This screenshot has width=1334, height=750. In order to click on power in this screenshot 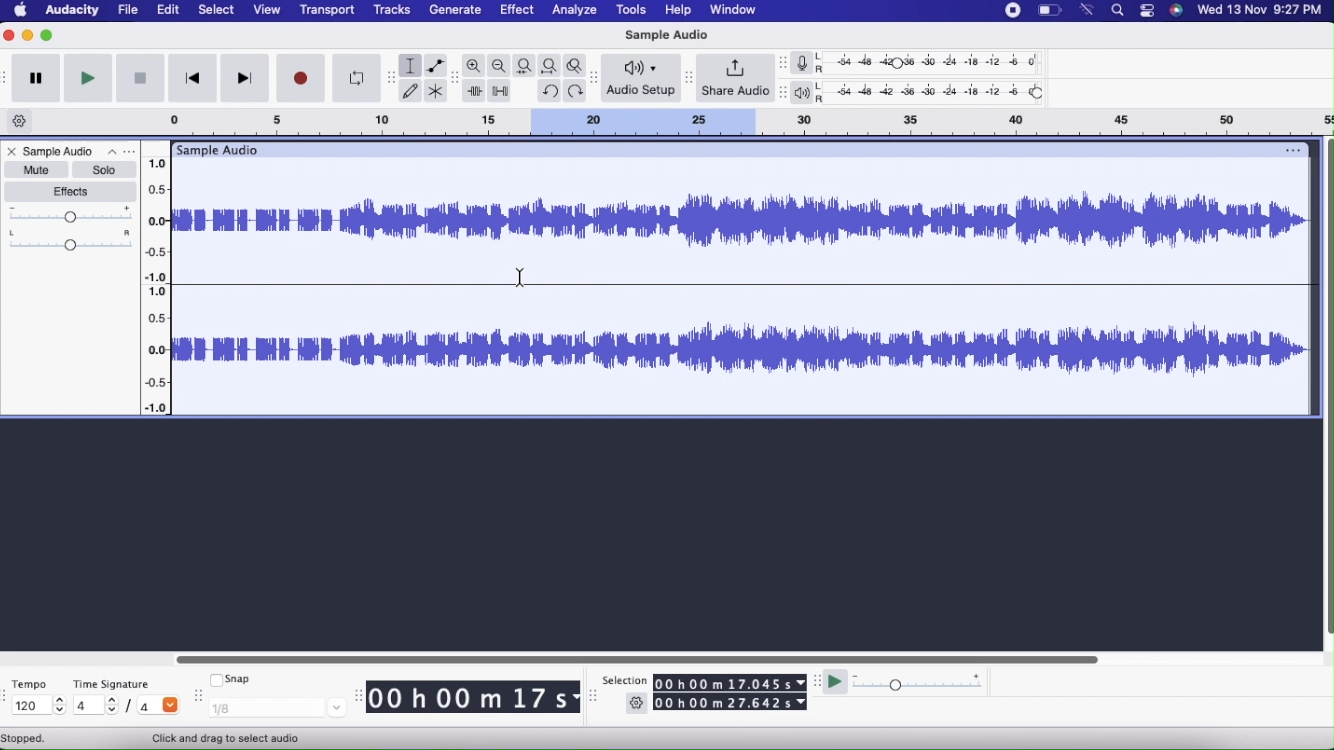, I will do `click(1050, 9)`.